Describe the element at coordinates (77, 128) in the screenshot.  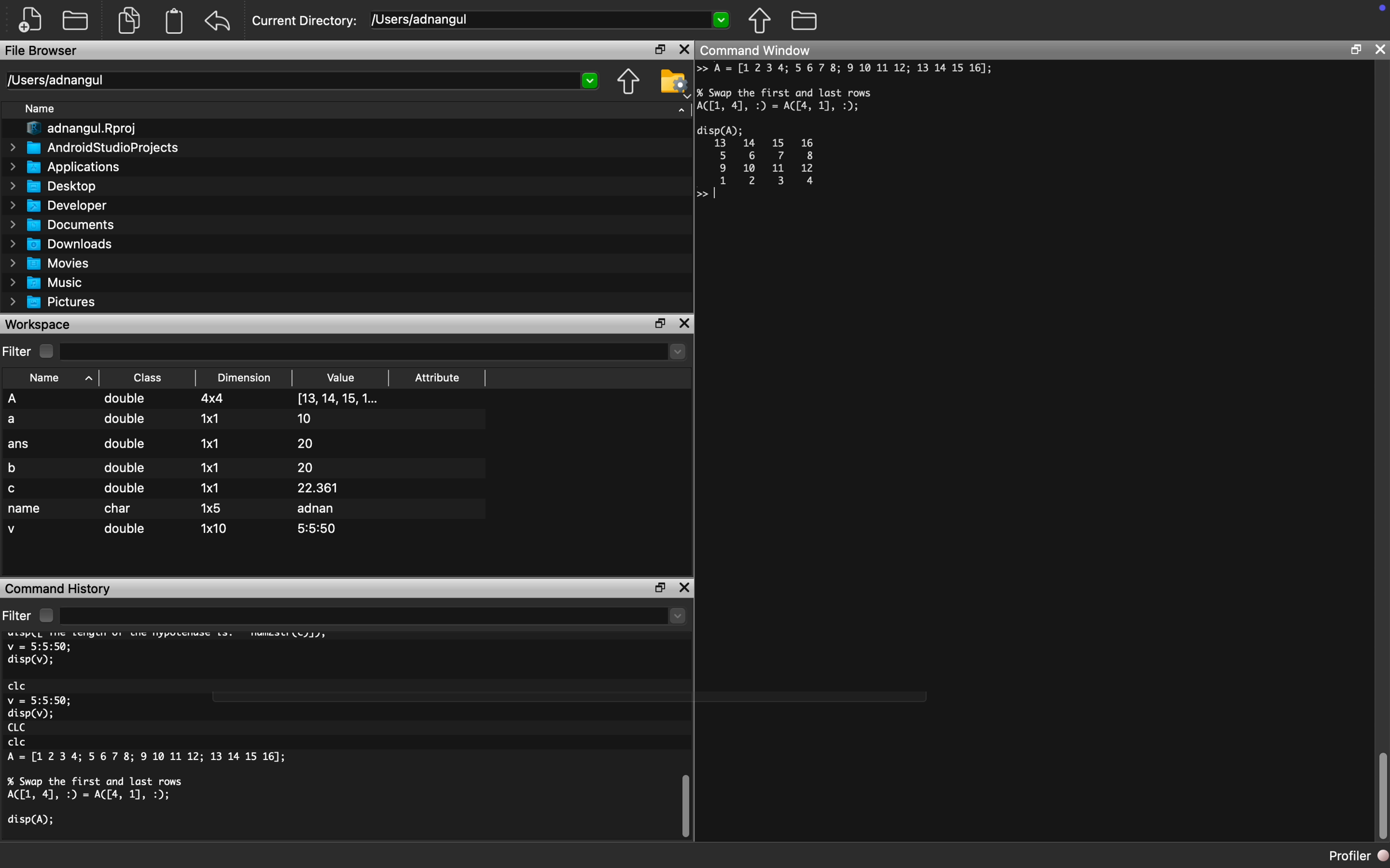
I see `I” adnangul.Rproj` at that location.